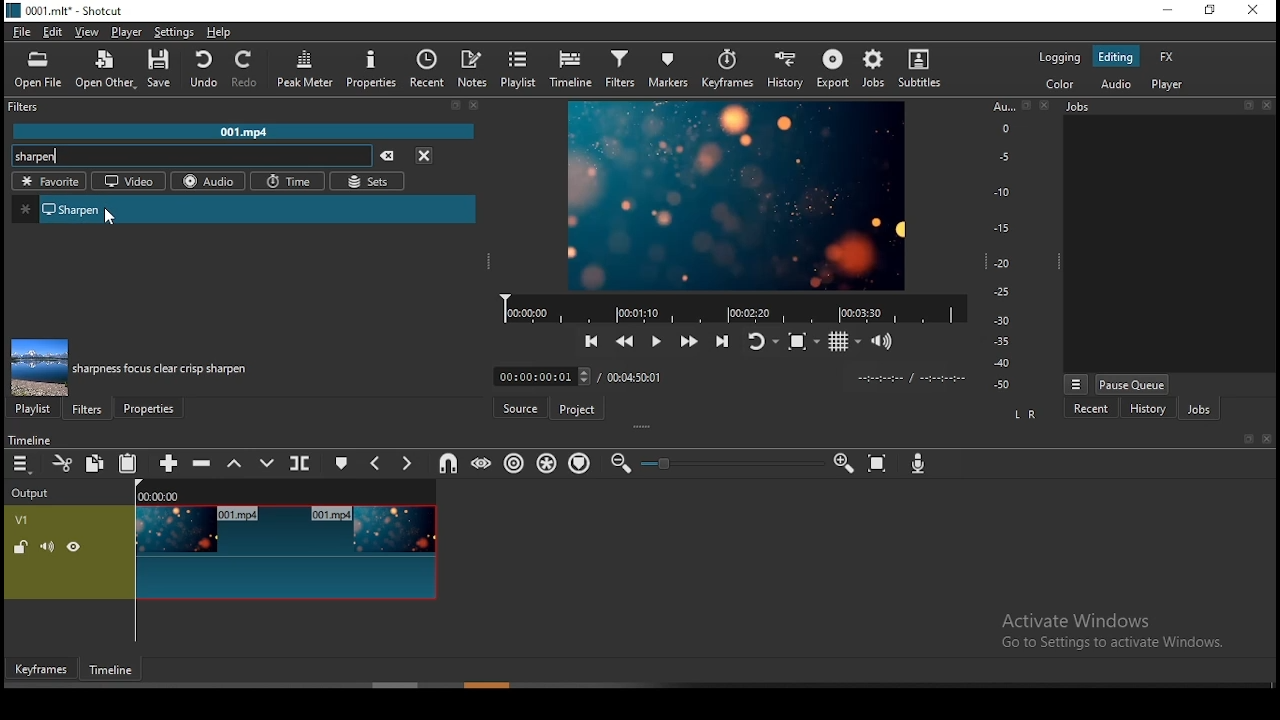 Image resolution: width=1280 pixels, height=720 pixels. I want to click on markers, so click(667, 68).